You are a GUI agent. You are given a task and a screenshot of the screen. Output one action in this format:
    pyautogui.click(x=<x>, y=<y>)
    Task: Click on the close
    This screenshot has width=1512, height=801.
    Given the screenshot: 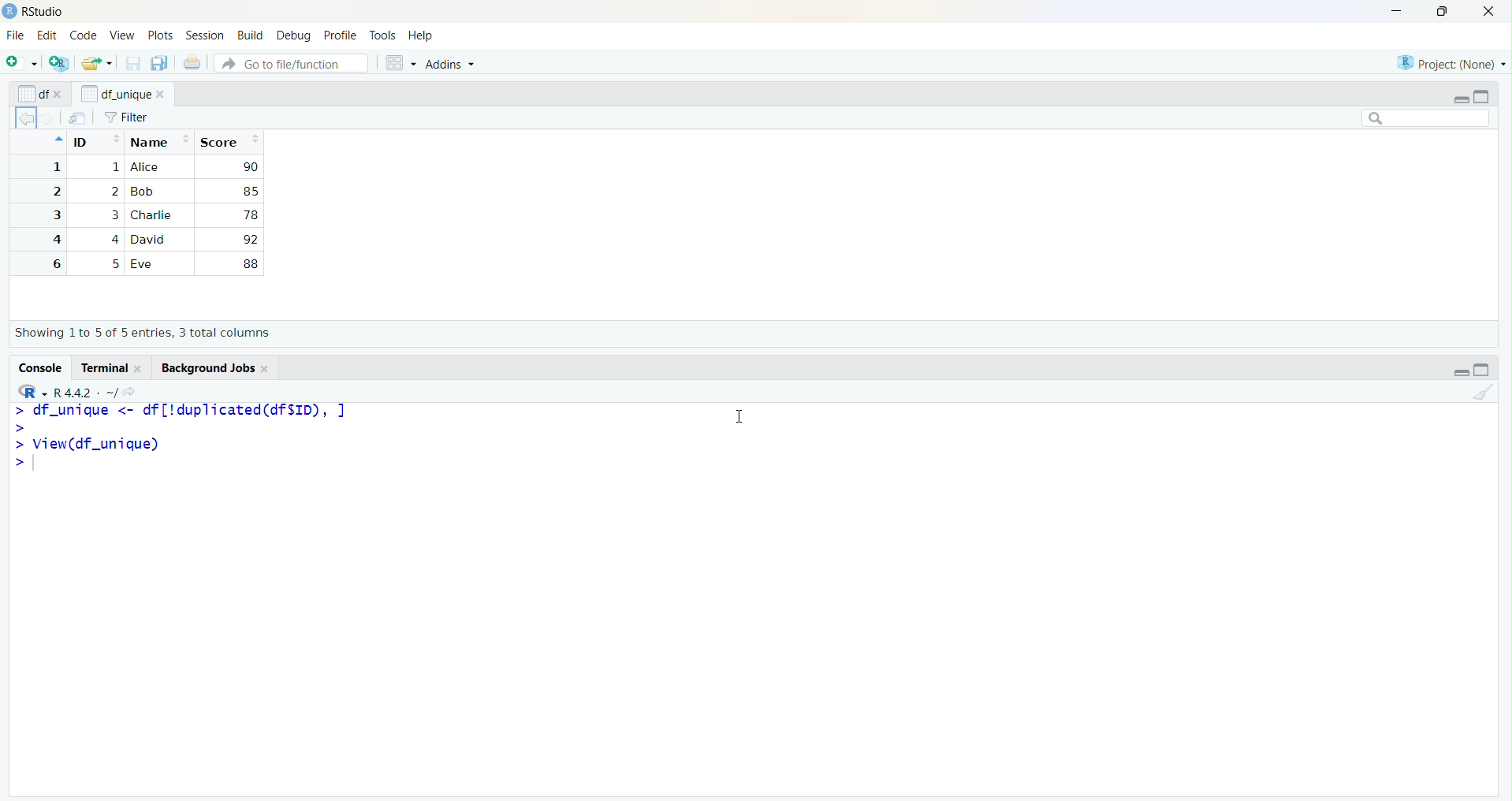 What is the action you would take?
    pyautogui.click(x=141, y=368)
    